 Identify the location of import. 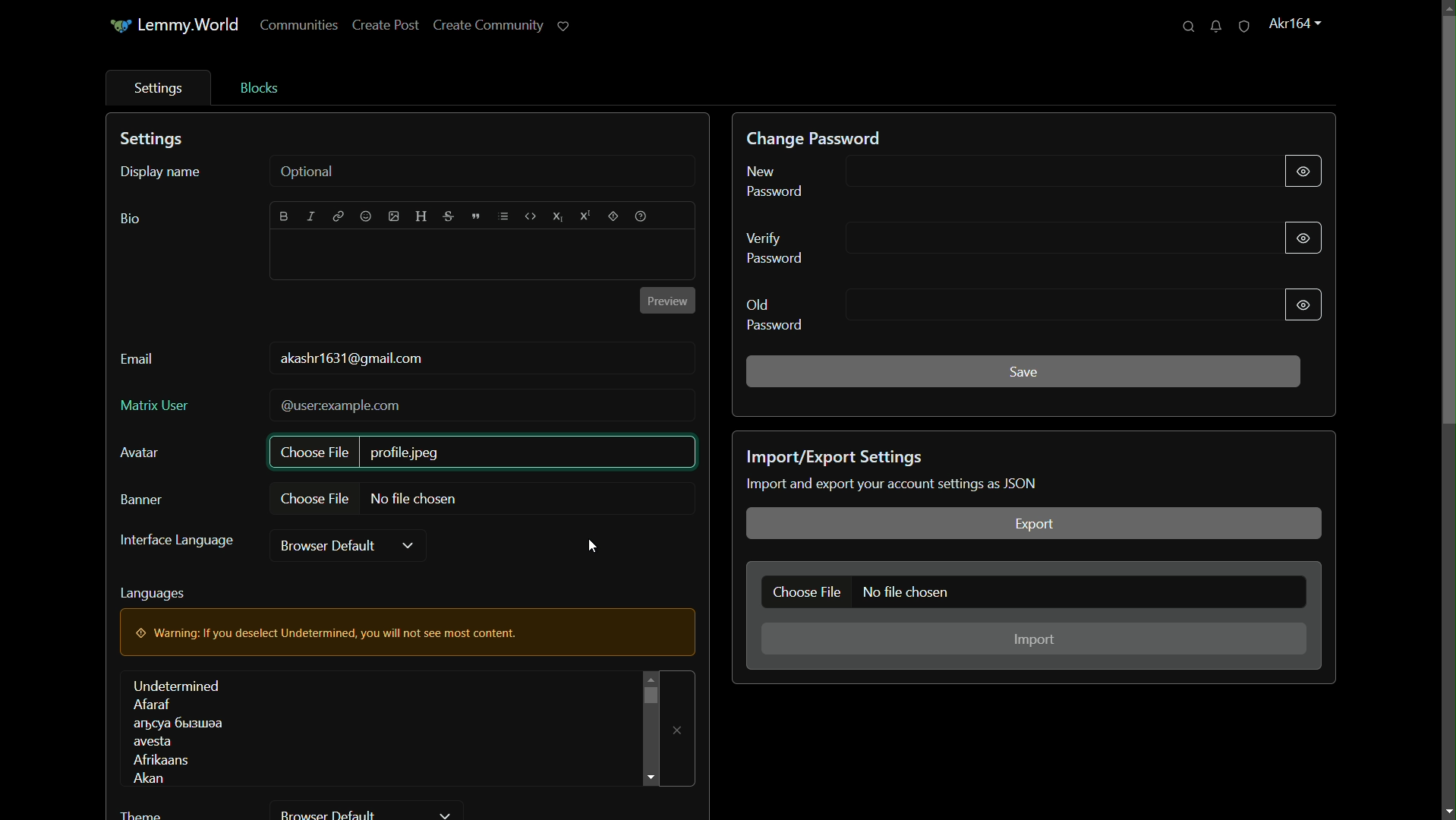
(1035, 640).